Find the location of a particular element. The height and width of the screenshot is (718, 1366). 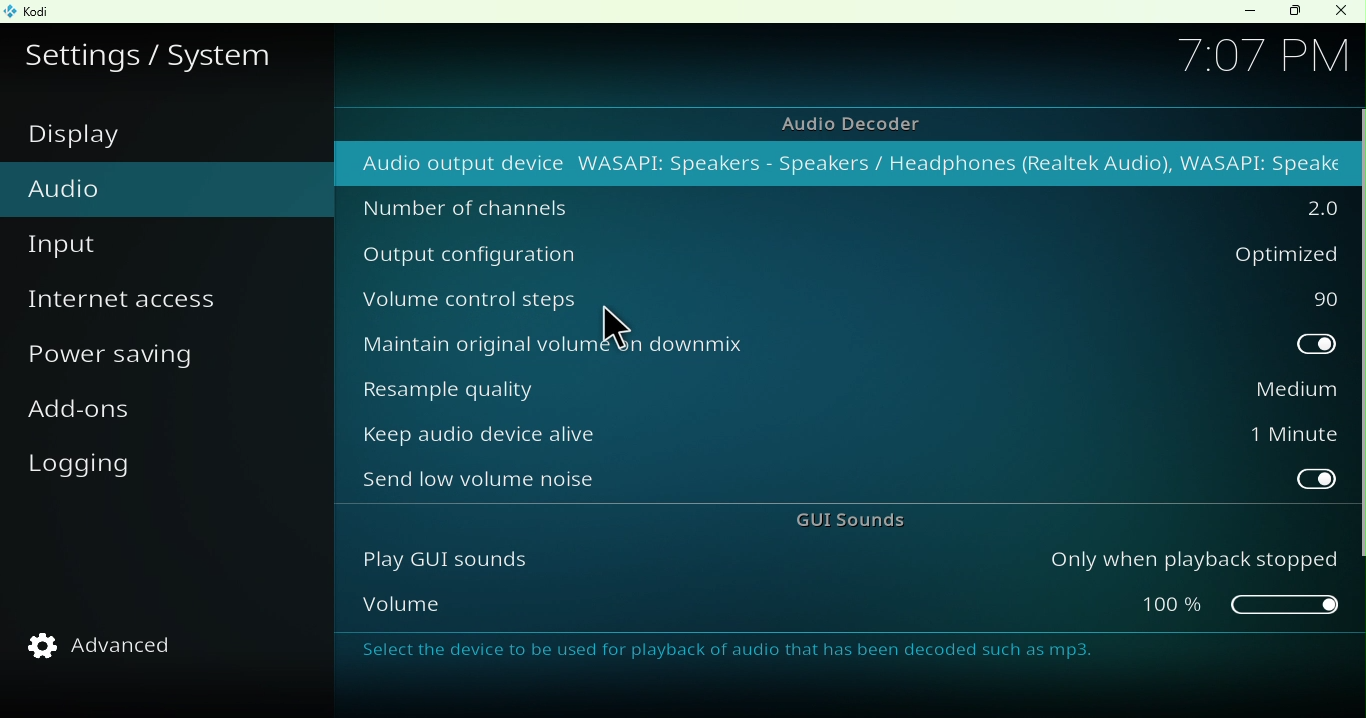

90 is located at coordinates (1221, 297).